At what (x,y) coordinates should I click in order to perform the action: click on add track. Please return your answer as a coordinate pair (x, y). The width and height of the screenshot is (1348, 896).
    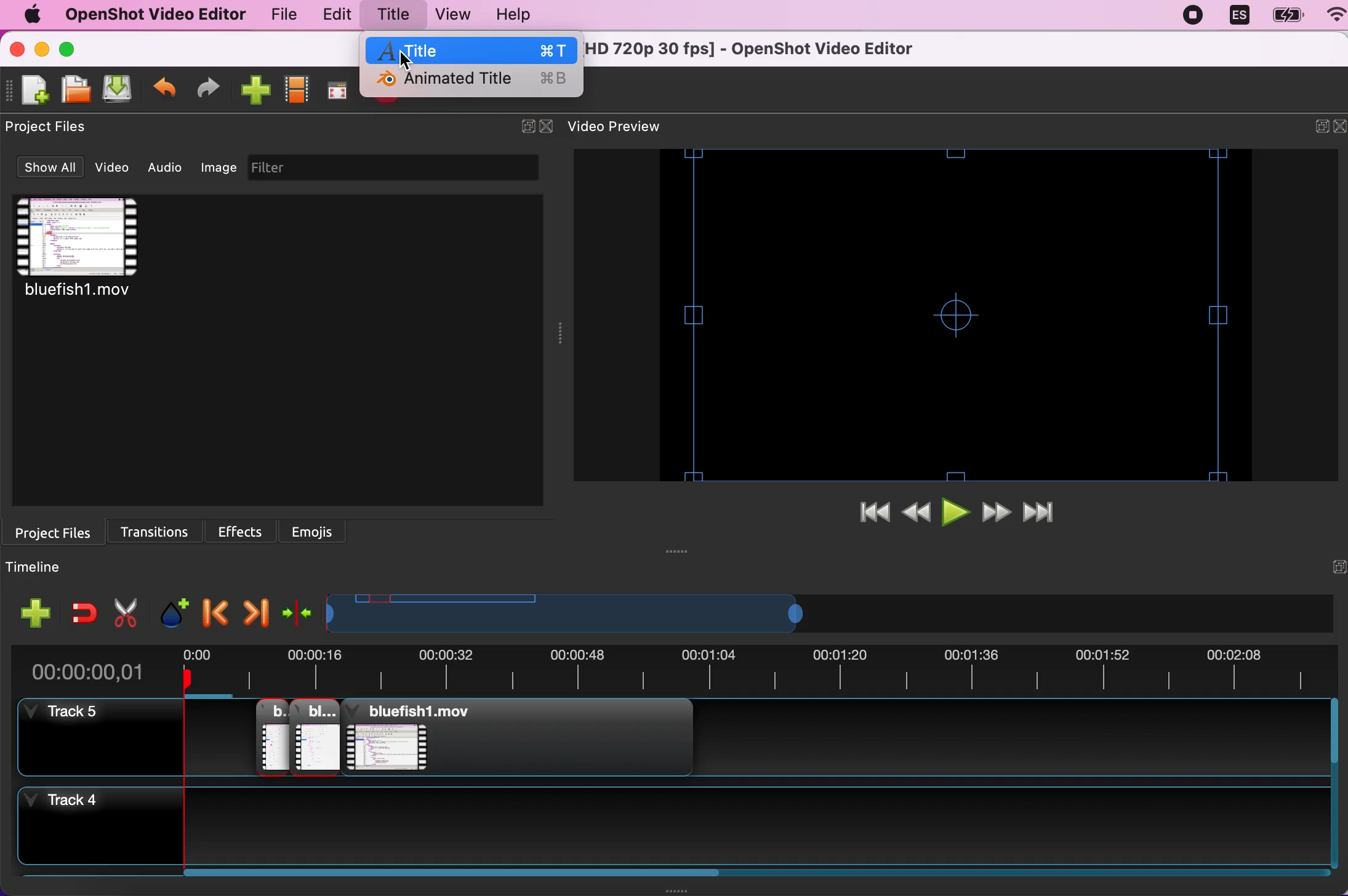
    Looking at the image, I should click on (37, 613).